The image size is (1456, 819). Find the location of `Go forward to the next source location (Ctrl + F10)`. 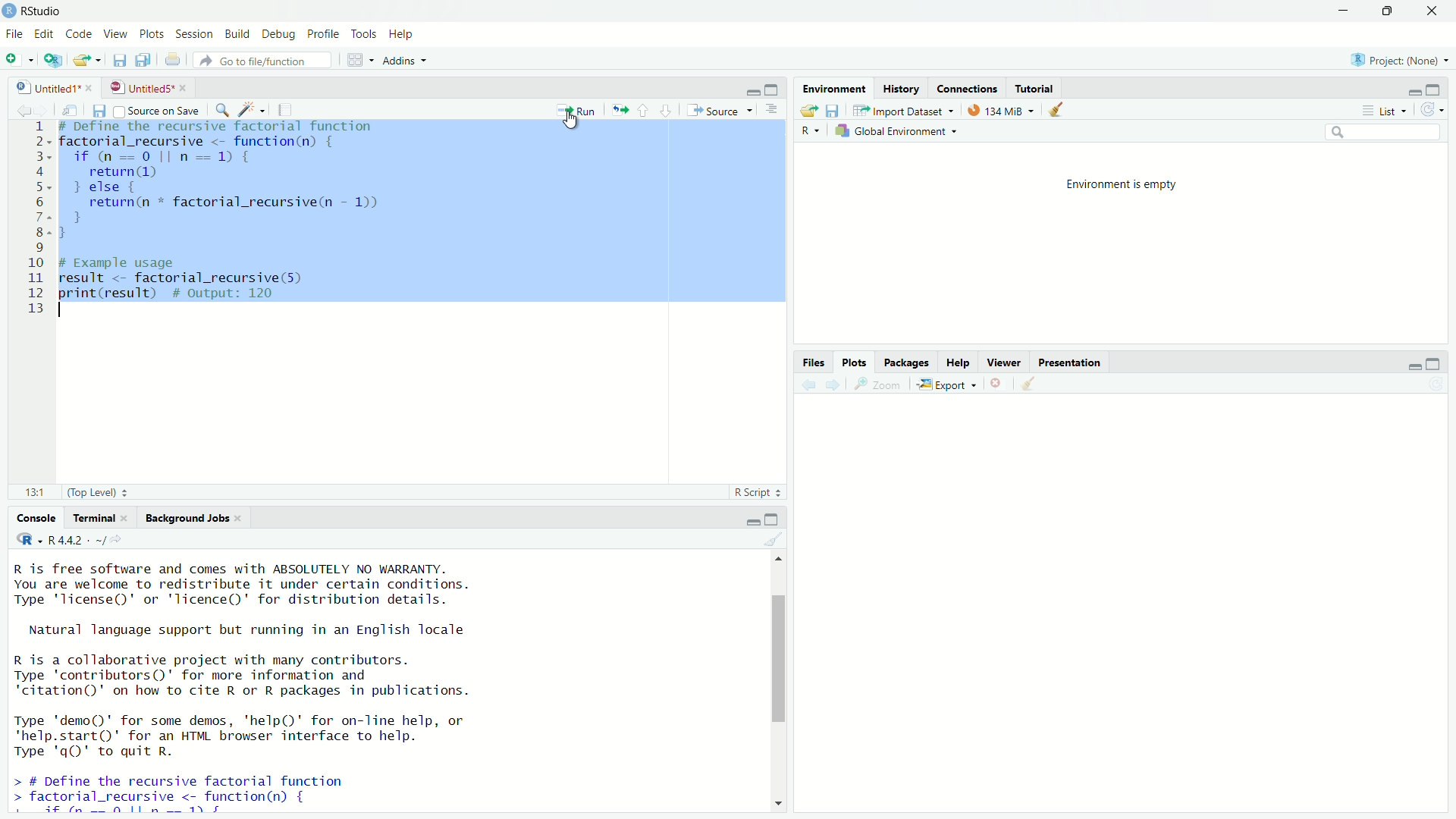

Go forward to the next source location (Ctrl + F10) is located at coordinates (836, 383).